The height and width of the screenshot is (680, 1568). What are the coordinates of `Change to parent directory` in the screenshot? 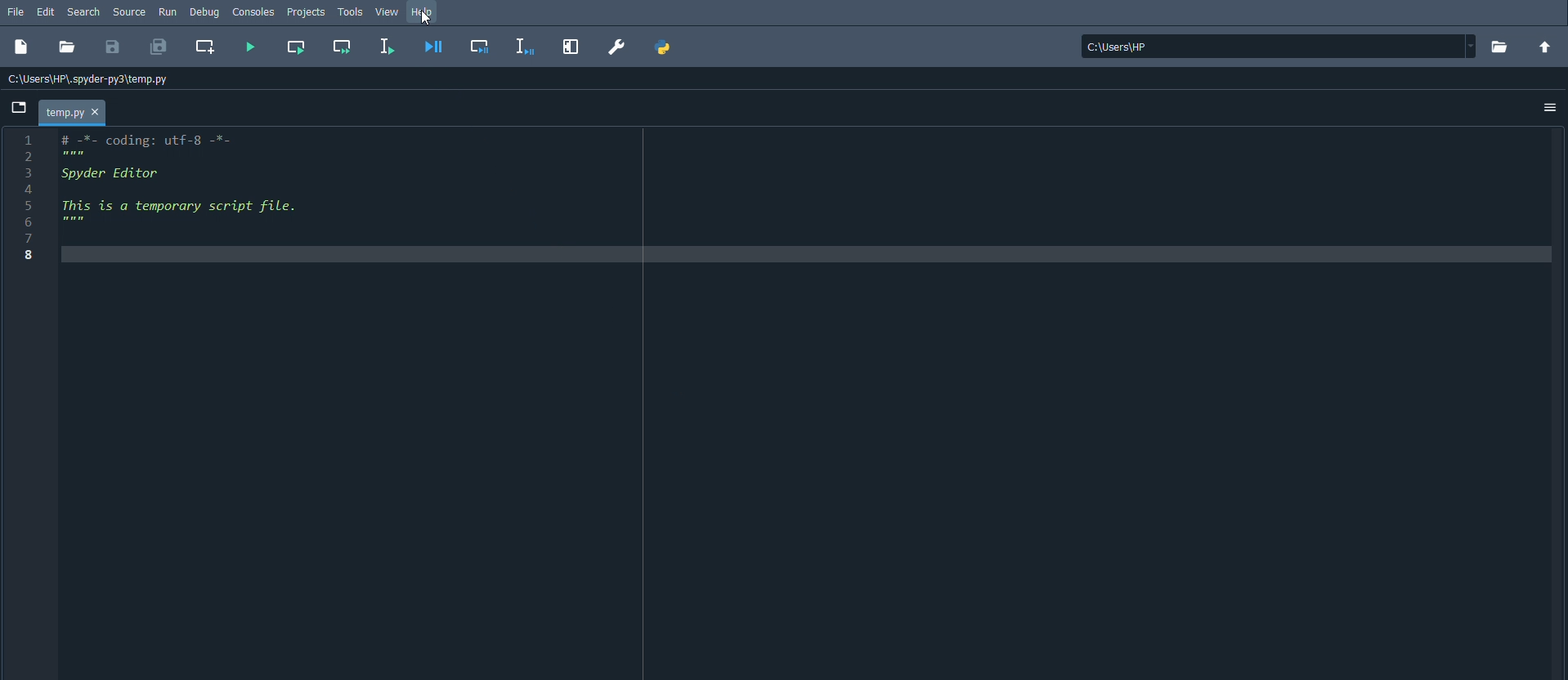 It's located at (1544, 47).